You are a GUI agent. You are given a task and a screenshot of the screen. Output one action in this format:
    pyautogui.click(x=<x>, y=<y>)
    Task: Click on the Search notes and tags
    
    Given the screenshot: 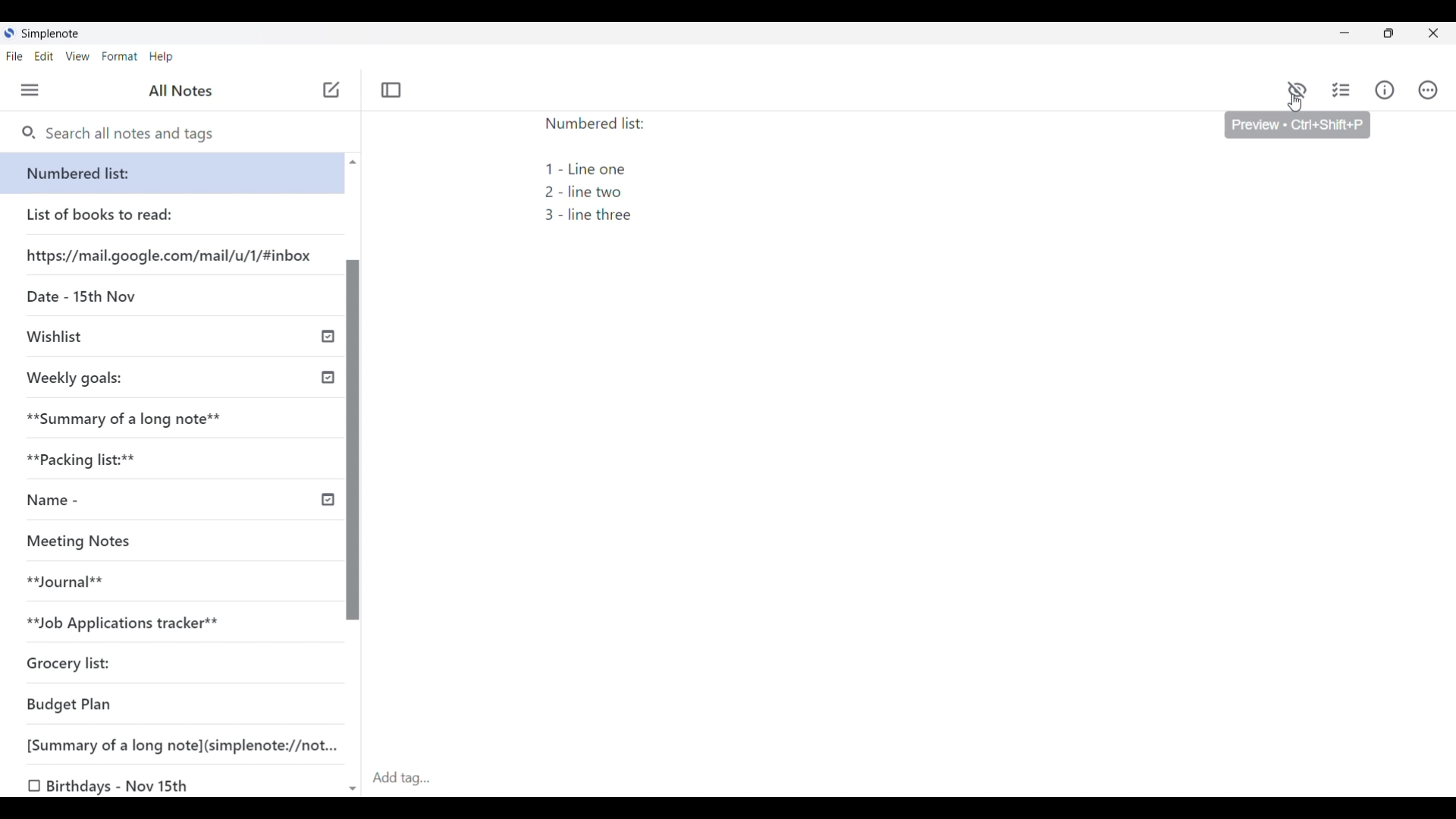 What is the action you would take?
    pyautogui.click(x=136, y=133)
    